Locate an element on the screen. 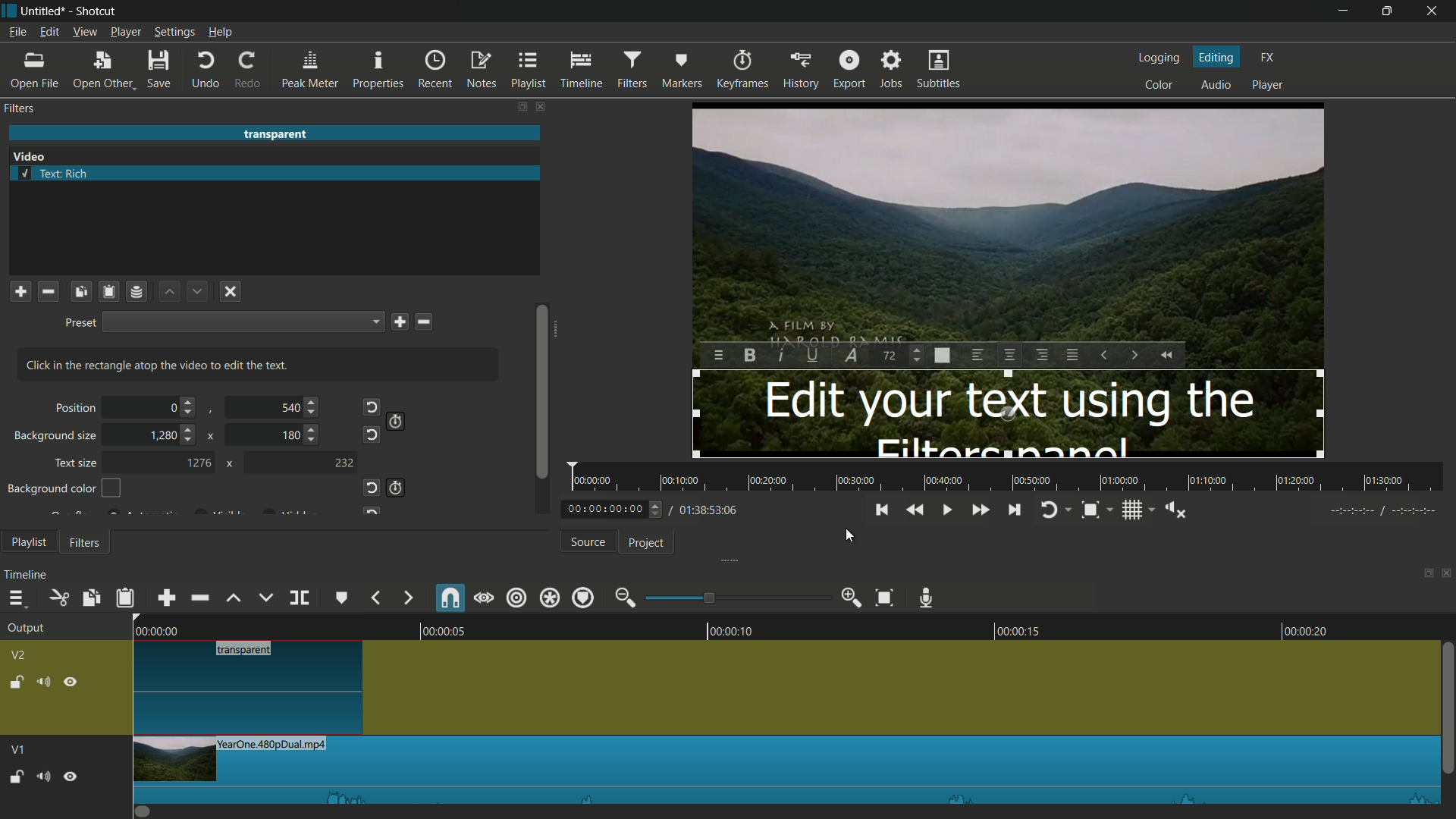 This screenshot has height=819, width=1456. notes is located at coordinates (483, 69).